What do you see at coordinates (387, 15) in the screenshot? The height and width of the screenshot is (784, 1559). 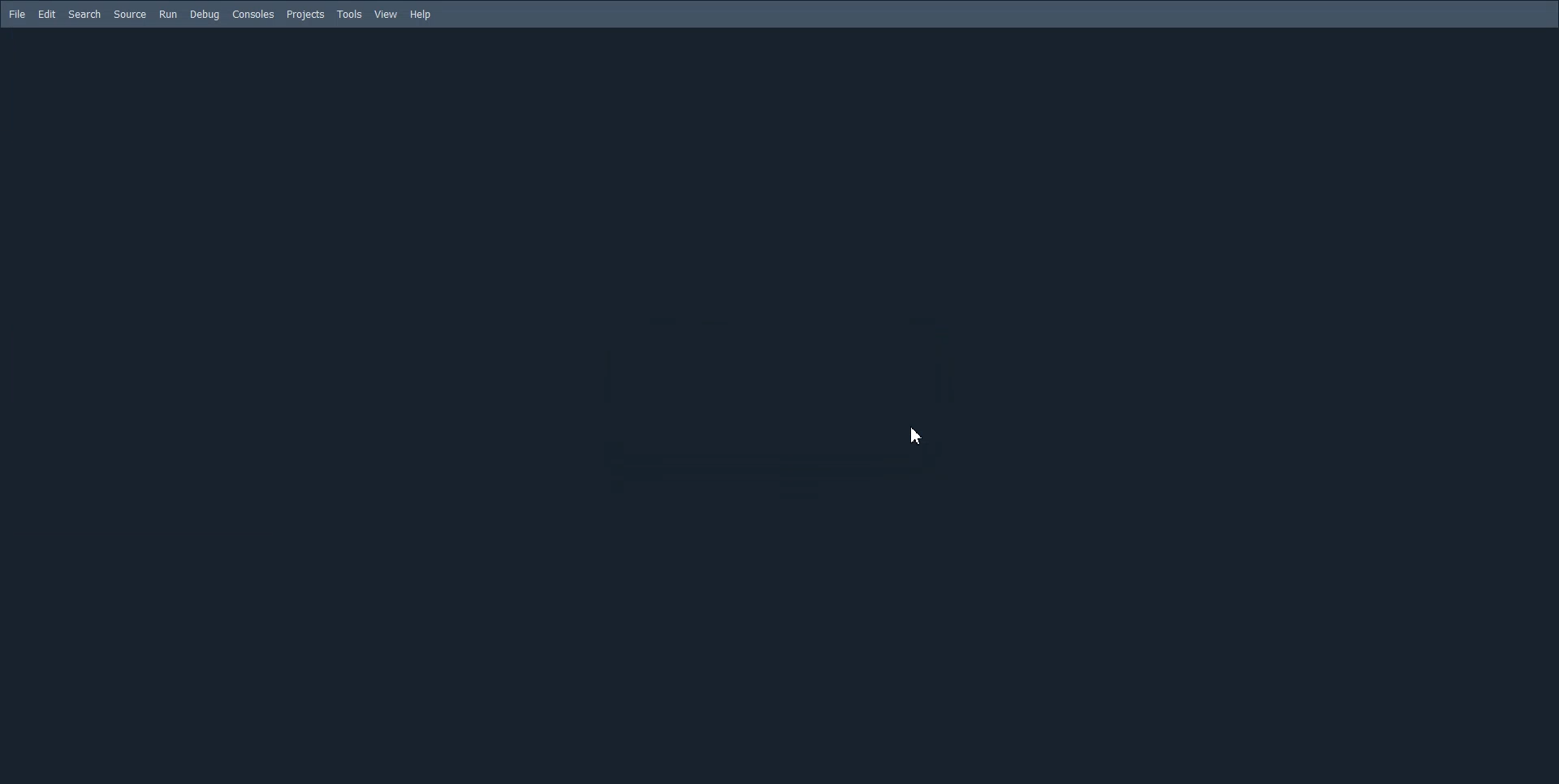 I see `View` at bounding box center [387, 15].